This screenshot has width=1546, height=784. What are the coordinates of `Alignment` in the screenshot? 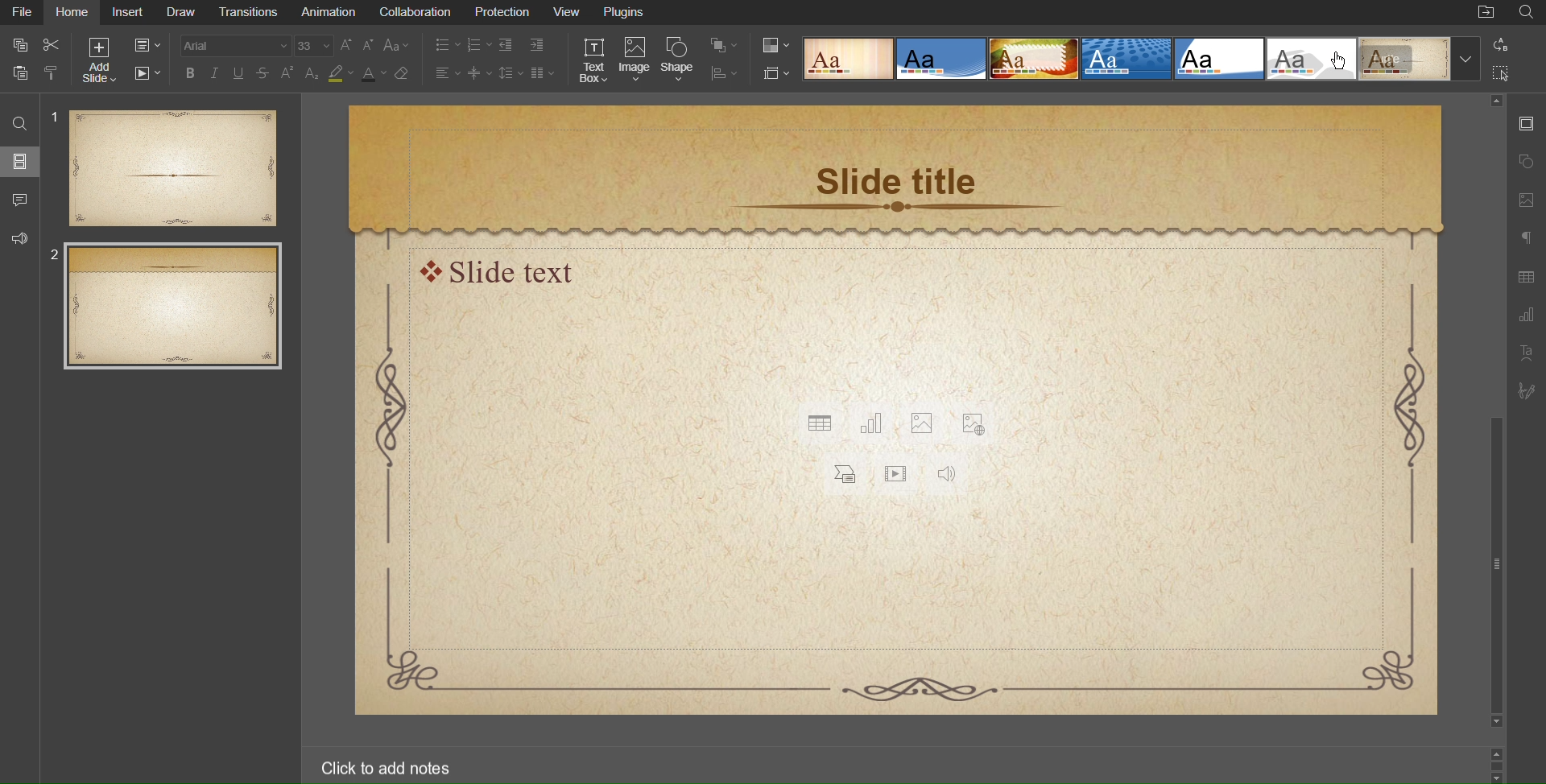 It's located at (449, 73).